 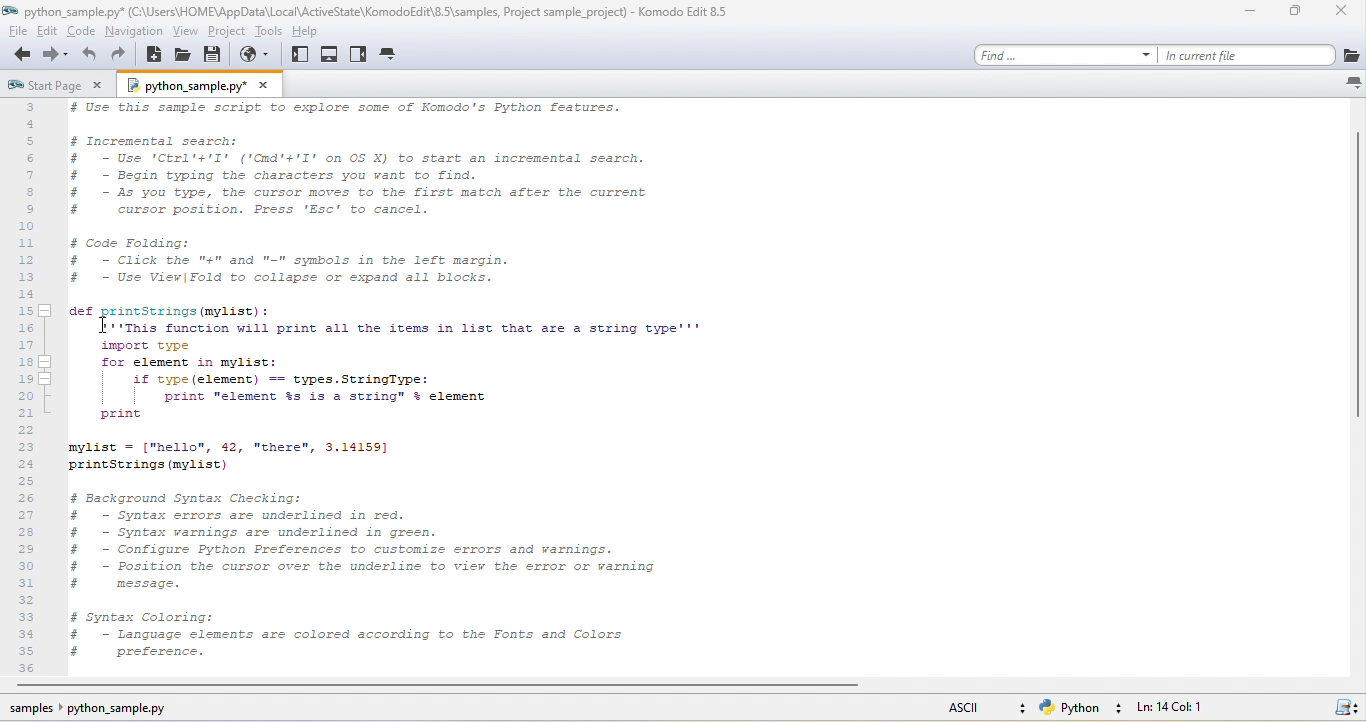 I want to click on horizontal scroll bar, so click(x=433, y=686).